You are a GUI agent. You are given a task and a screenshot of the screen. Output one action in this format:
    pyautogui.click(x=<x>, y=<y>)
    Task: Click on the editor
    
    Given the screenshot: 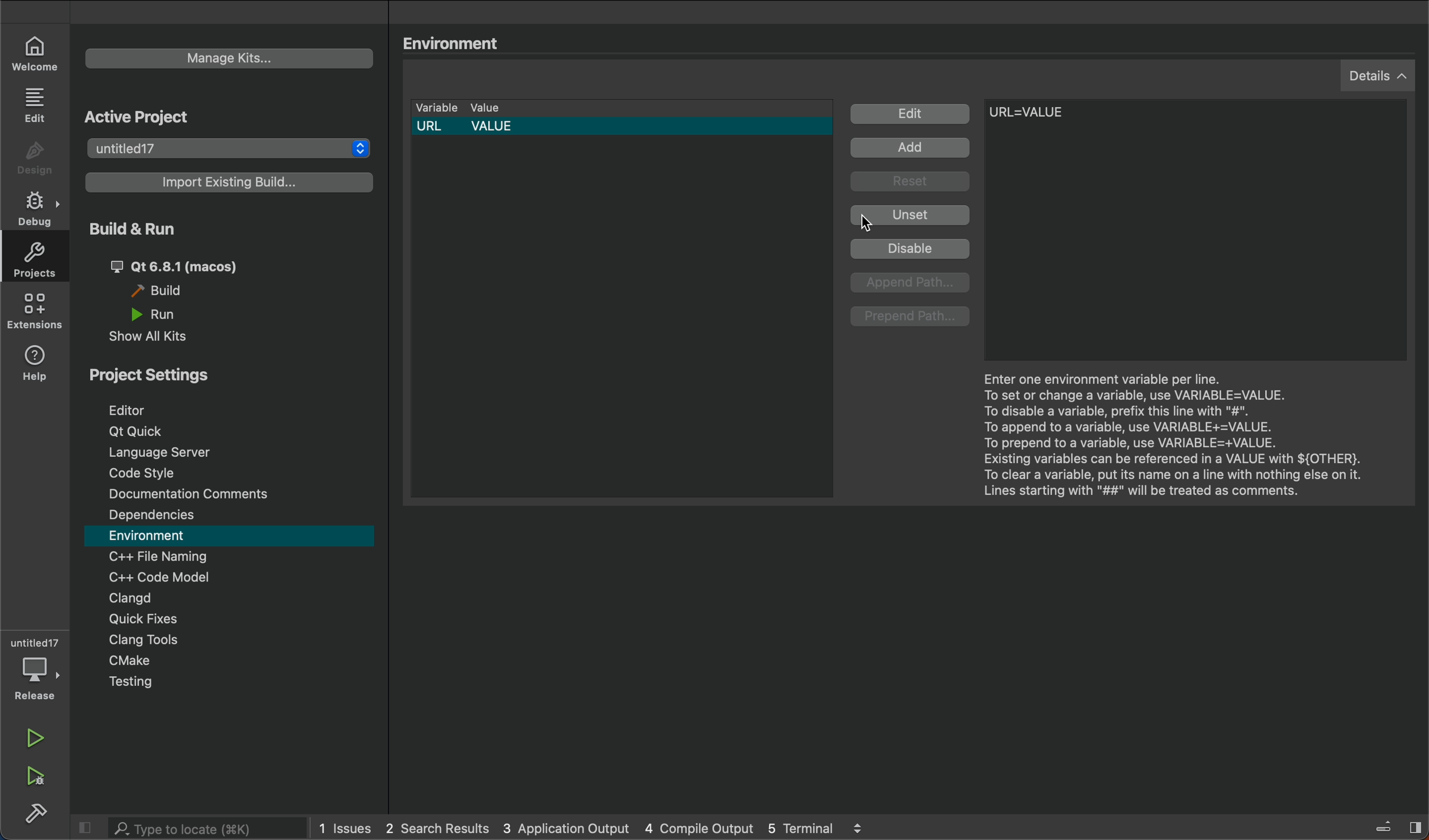 What is the action you would take?
    pyautogui.click(x=126, y=410)
    